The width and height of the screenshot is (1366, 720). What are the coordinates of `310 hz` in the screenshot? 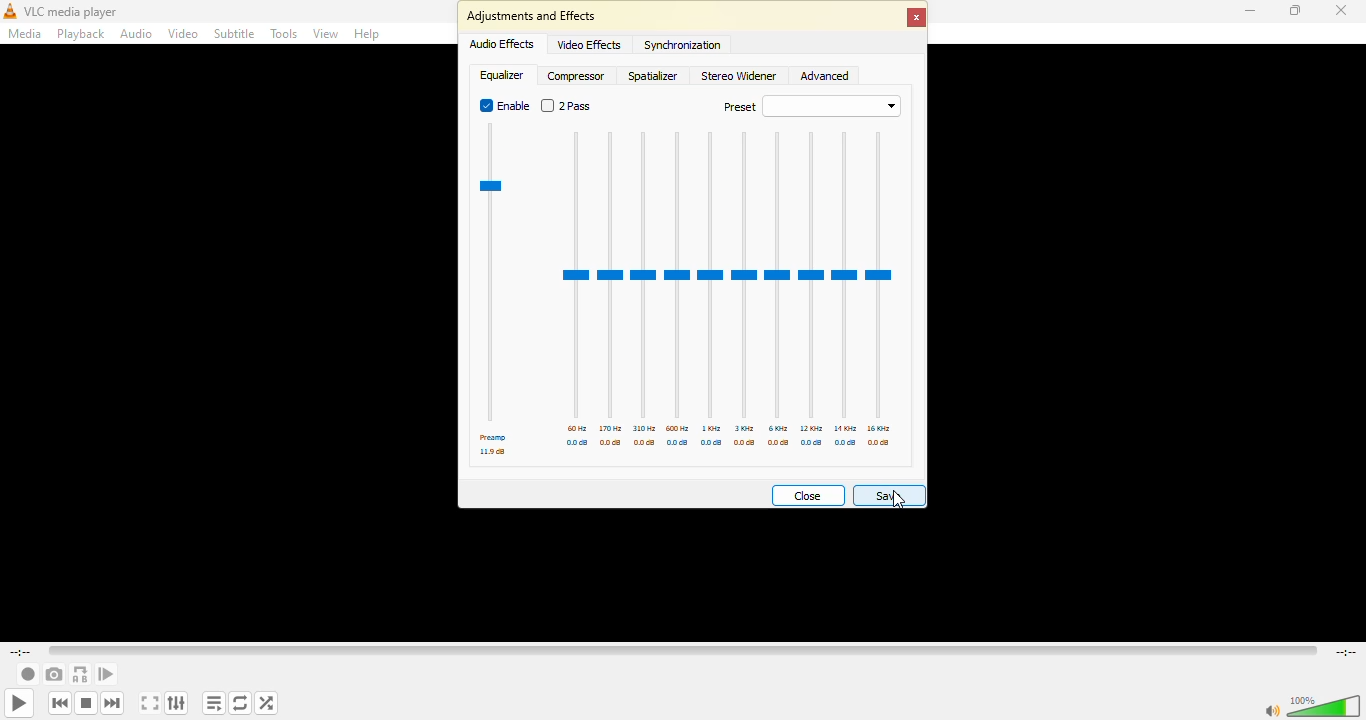 It's located at (646, 428).